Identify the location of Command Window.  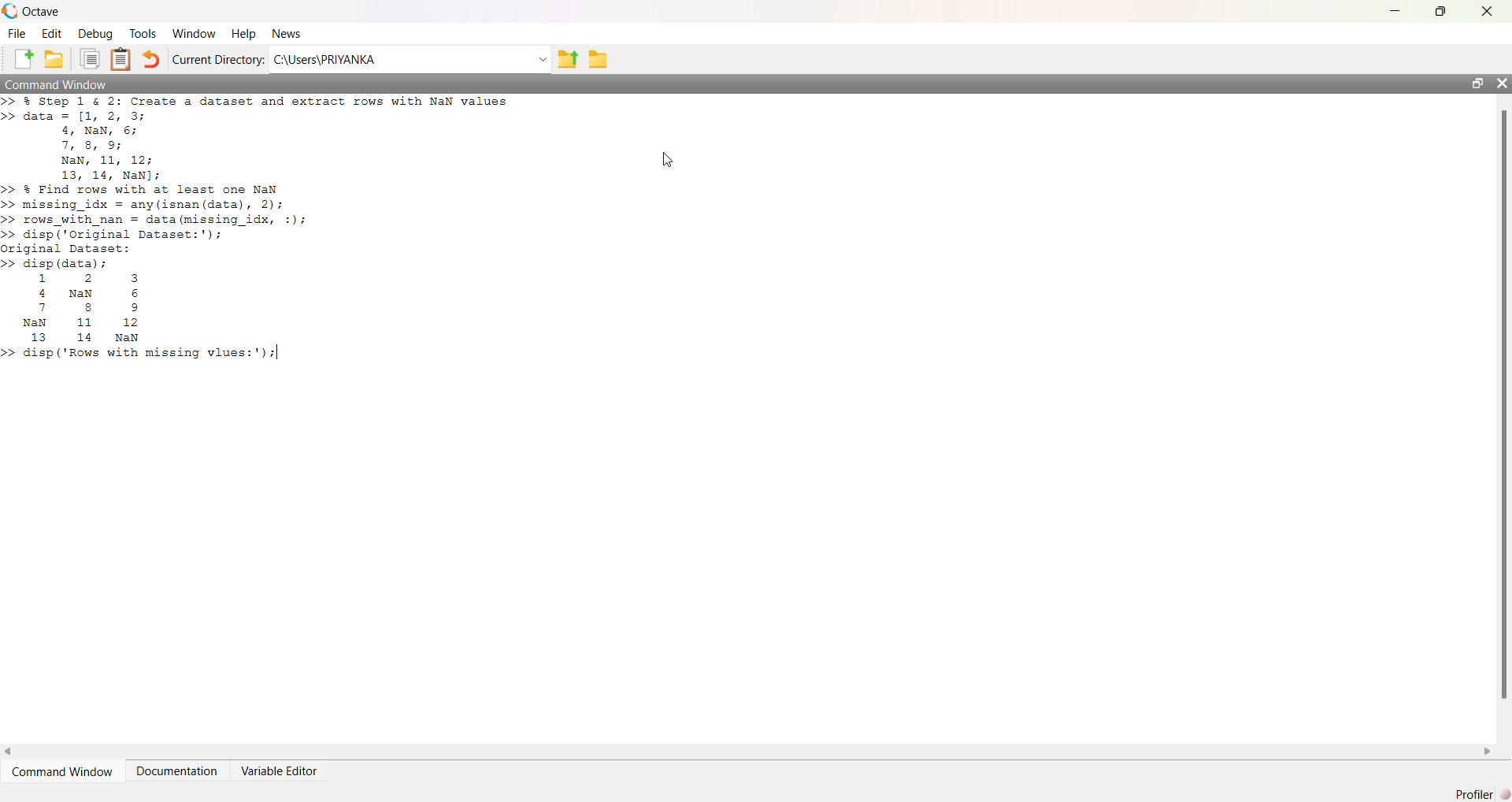
(57, 84).